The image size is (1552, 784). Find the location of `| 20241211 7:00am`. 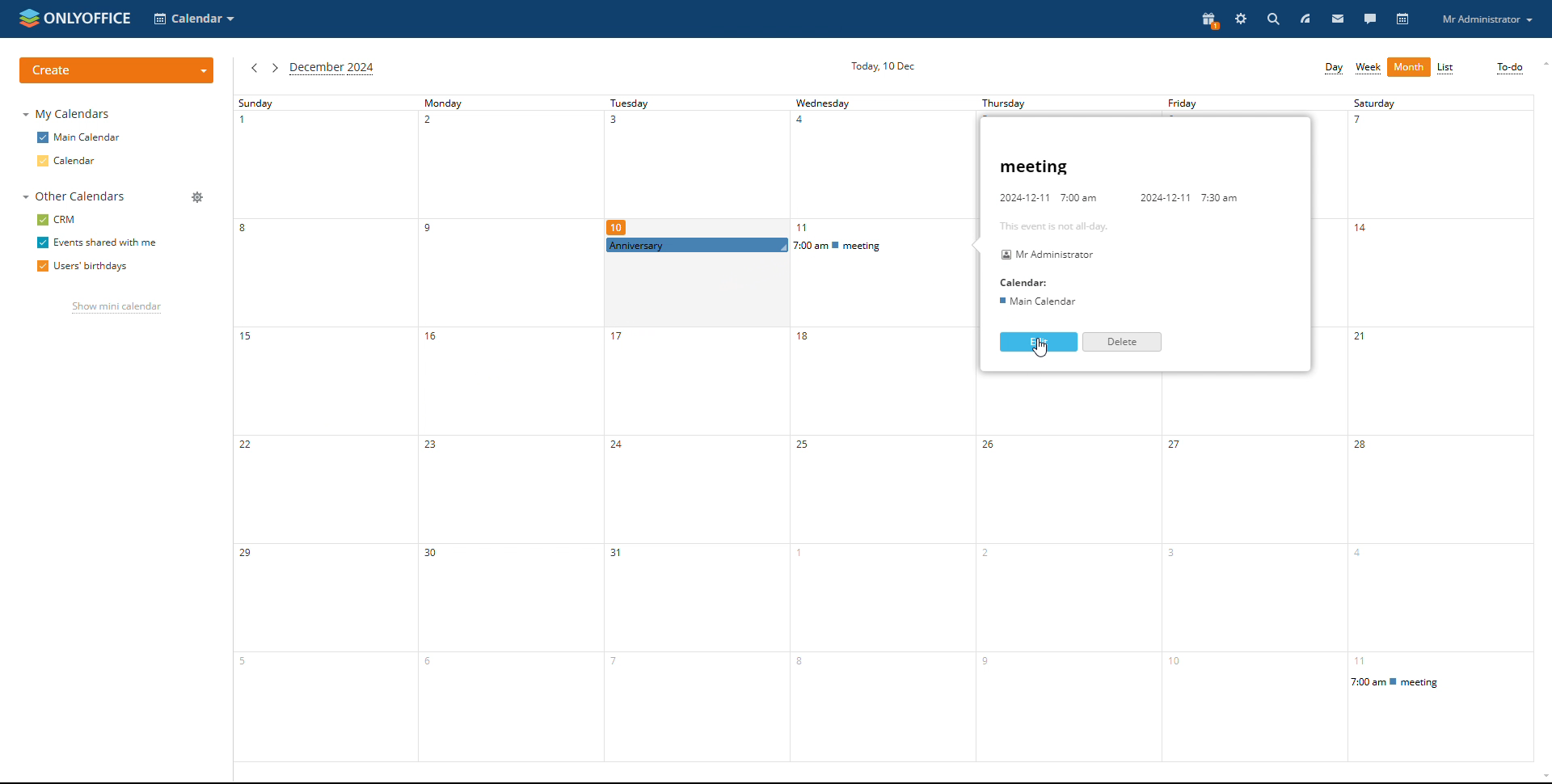

| 20241211 7:00am is located at coordinates (1046, 197).